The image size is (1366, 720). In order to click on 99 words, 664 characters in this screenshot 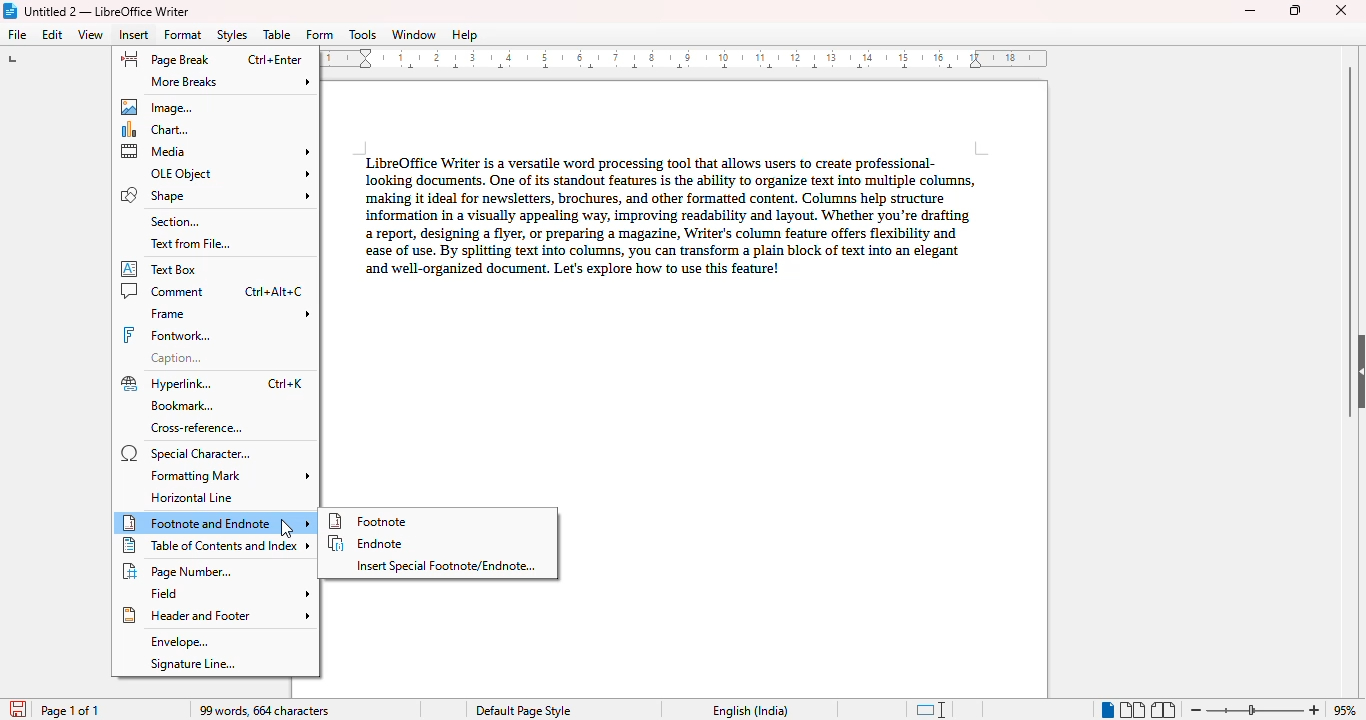, I will do `click(263, 711)`.